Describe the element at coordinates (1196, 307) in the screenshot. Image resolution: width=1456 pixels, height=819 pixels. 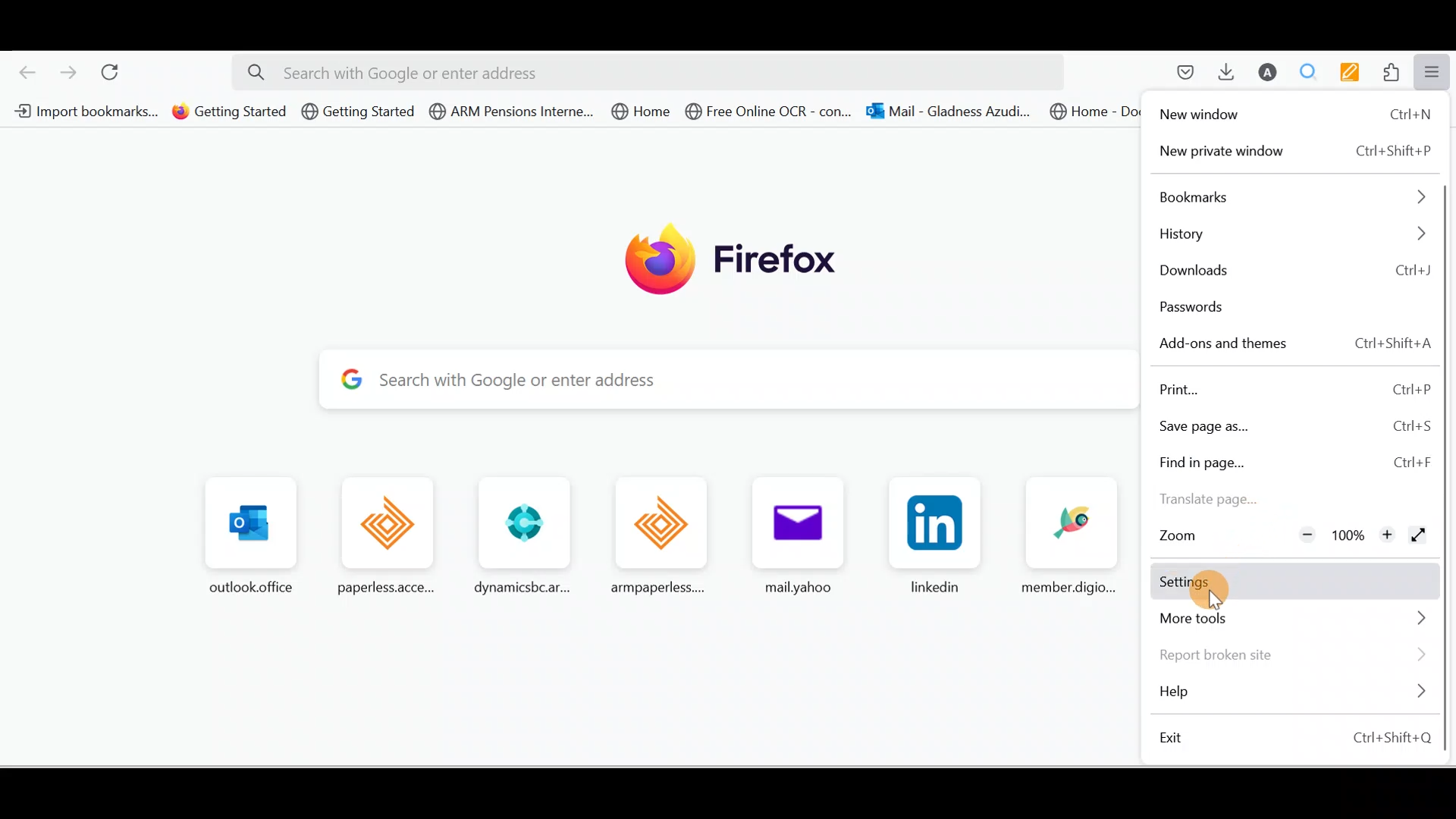
I see `Passwords` at that location.